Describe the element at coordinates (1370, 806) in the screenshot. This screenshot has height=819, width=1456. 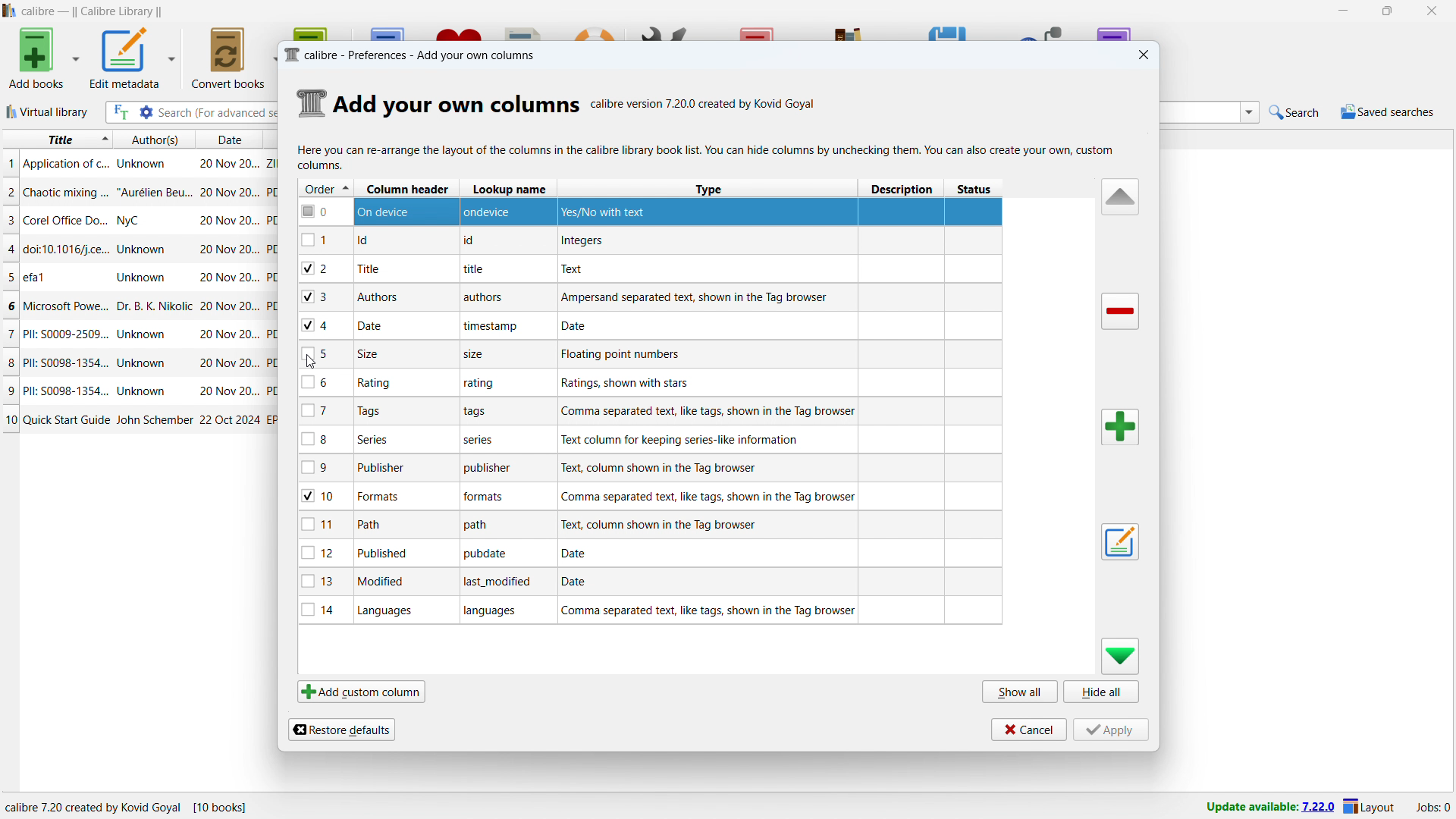
I see `Layout` at that location.